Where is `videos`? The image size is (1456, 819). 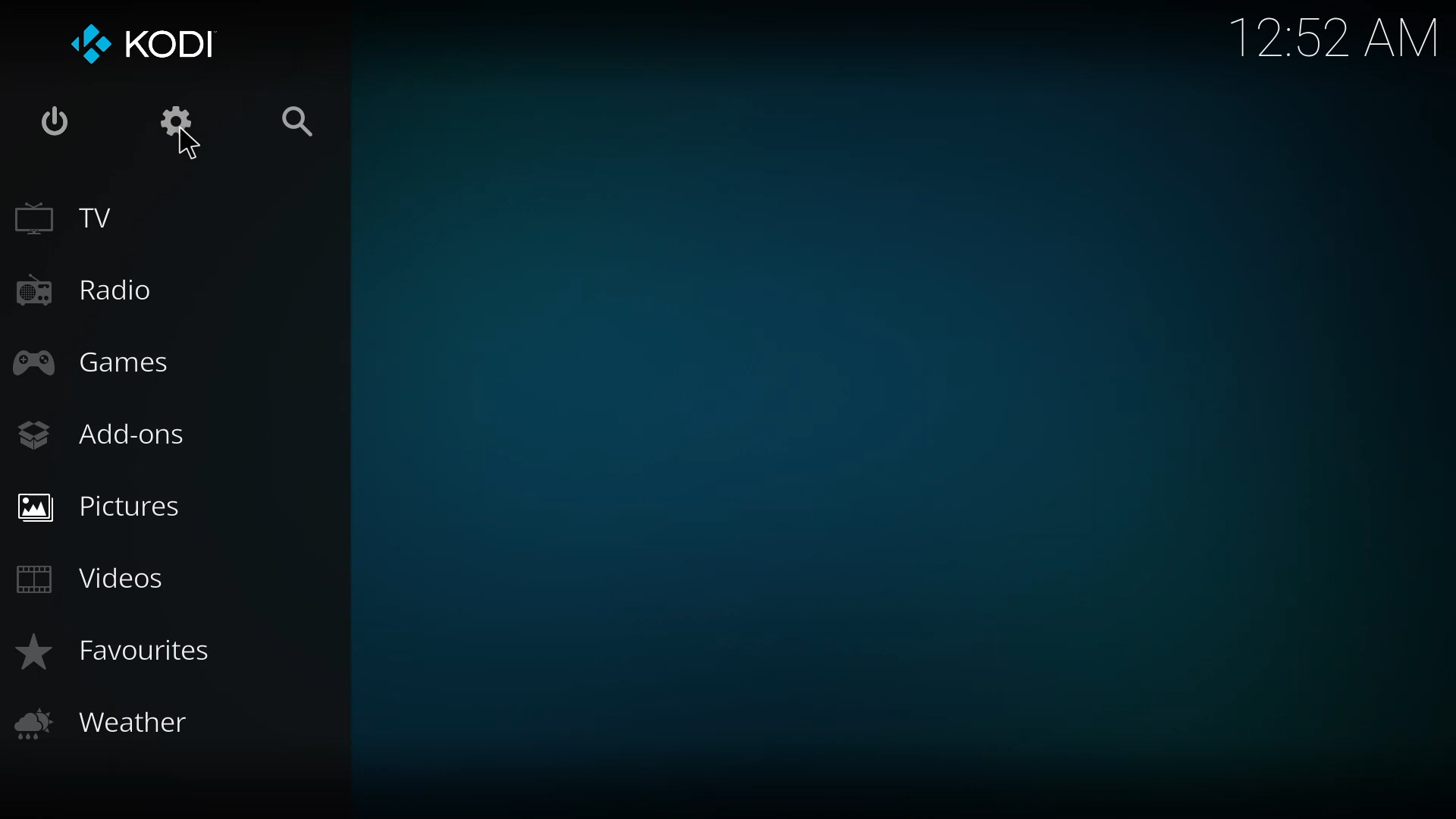 videos is located at coordinates (94, 576).